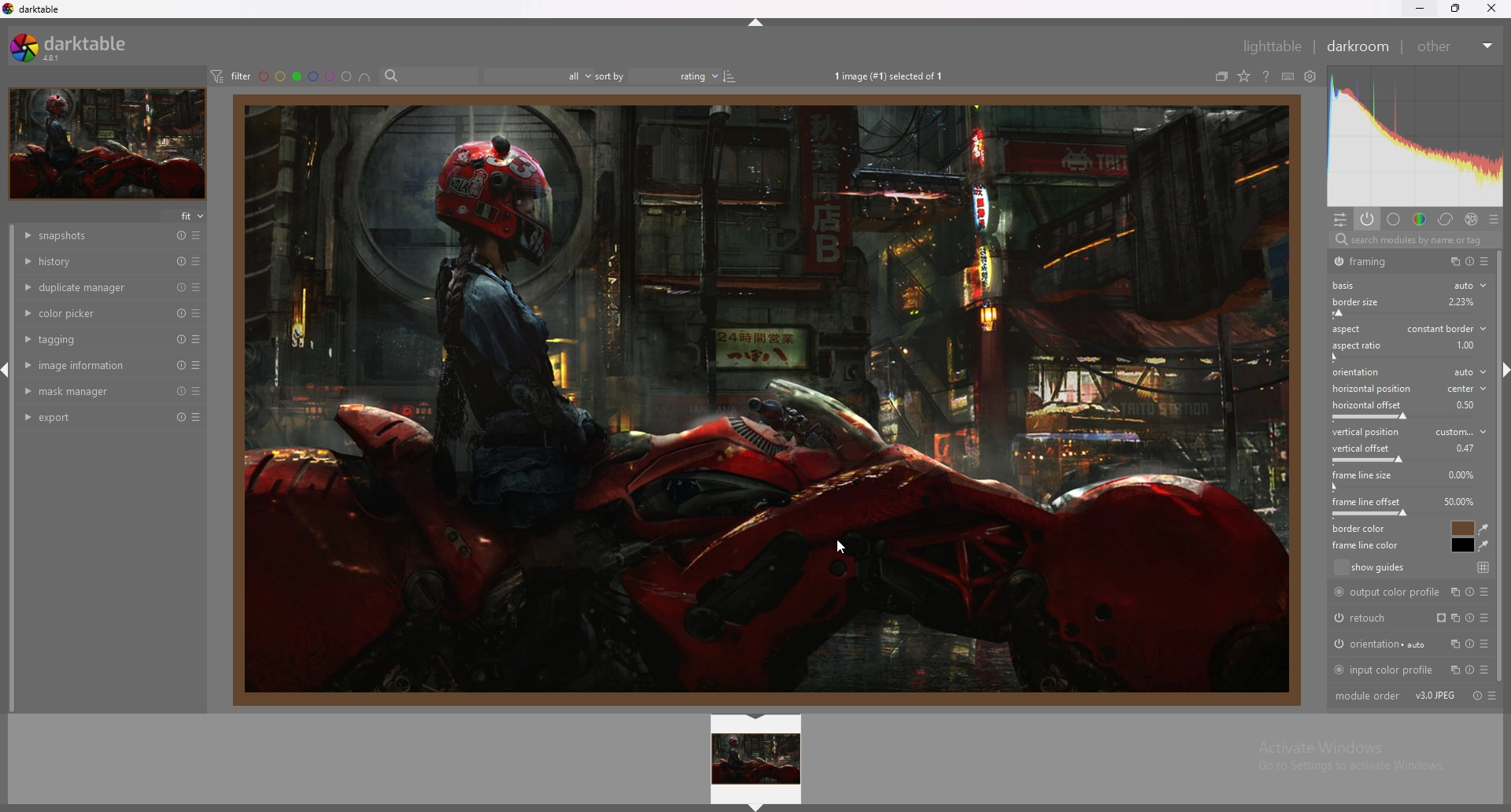 This screenshot has height=812, width=1511. What do you see at coordinates (1502, 467) in the screenshot?
I see `scroll bar` at bounding box center [1502, 467].